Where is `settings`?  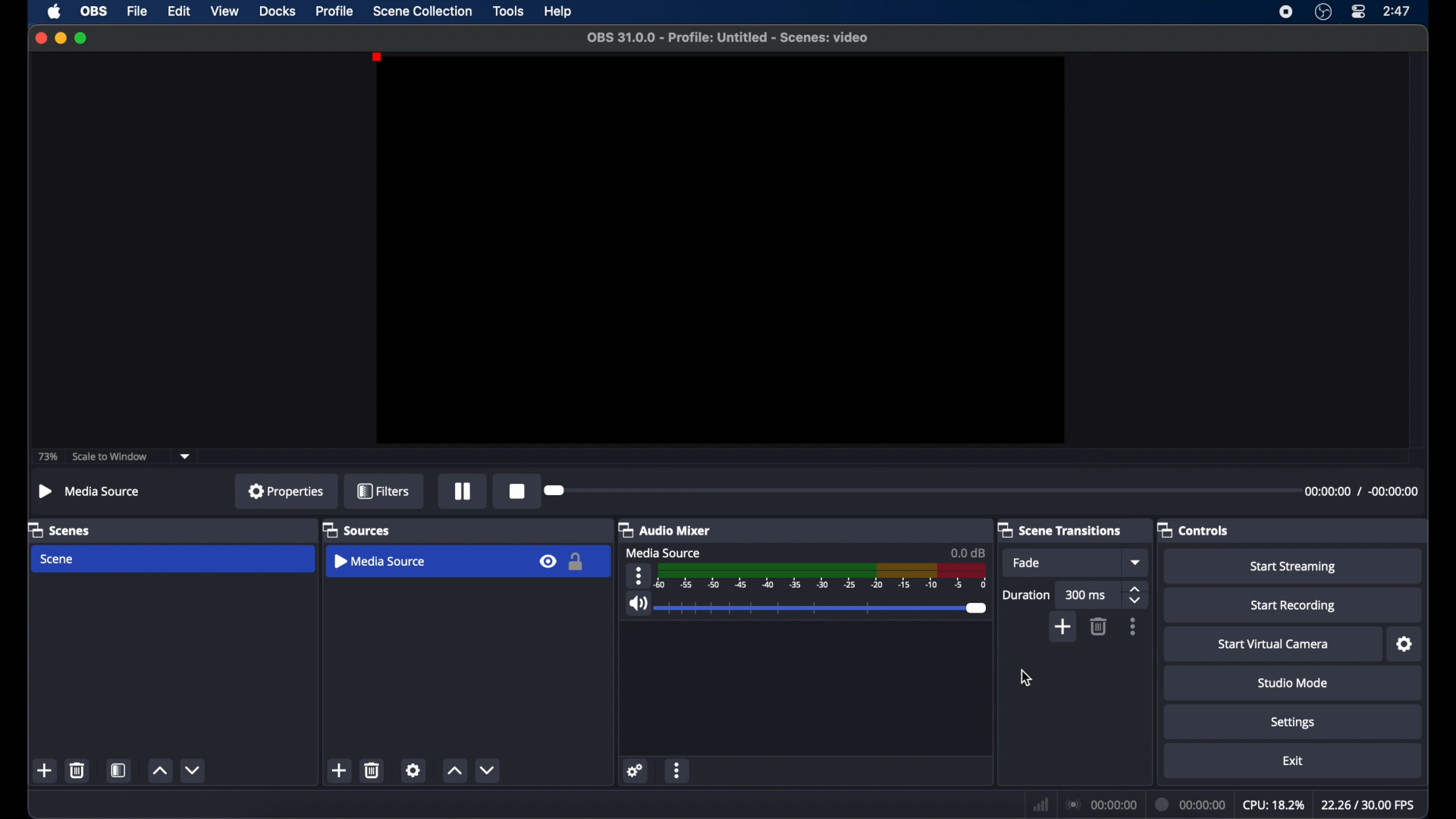
settings is located at coordinates (636, 770).